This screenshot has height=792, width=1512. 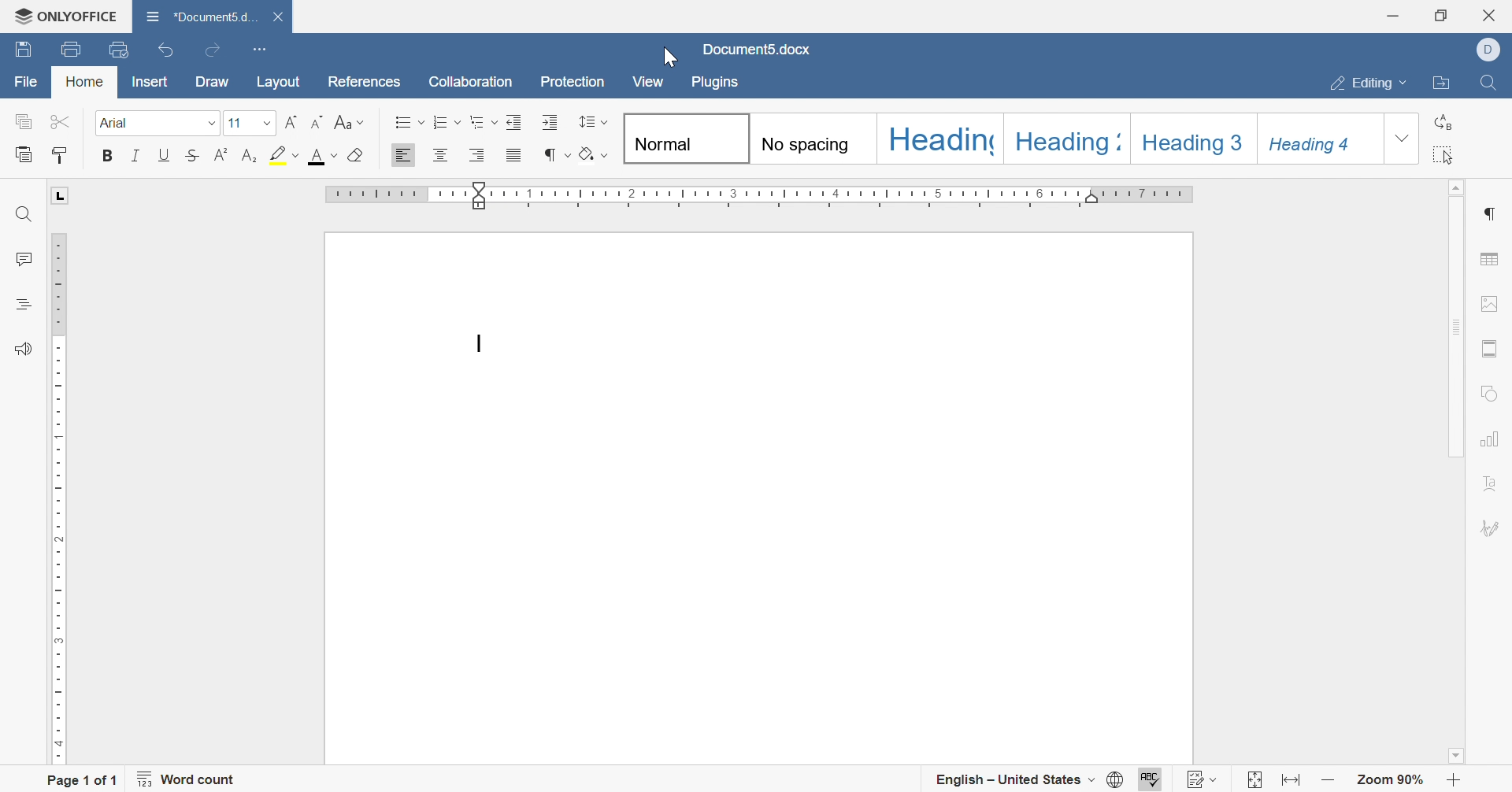 I want to click on restore down, so click(x=1441, y=15).